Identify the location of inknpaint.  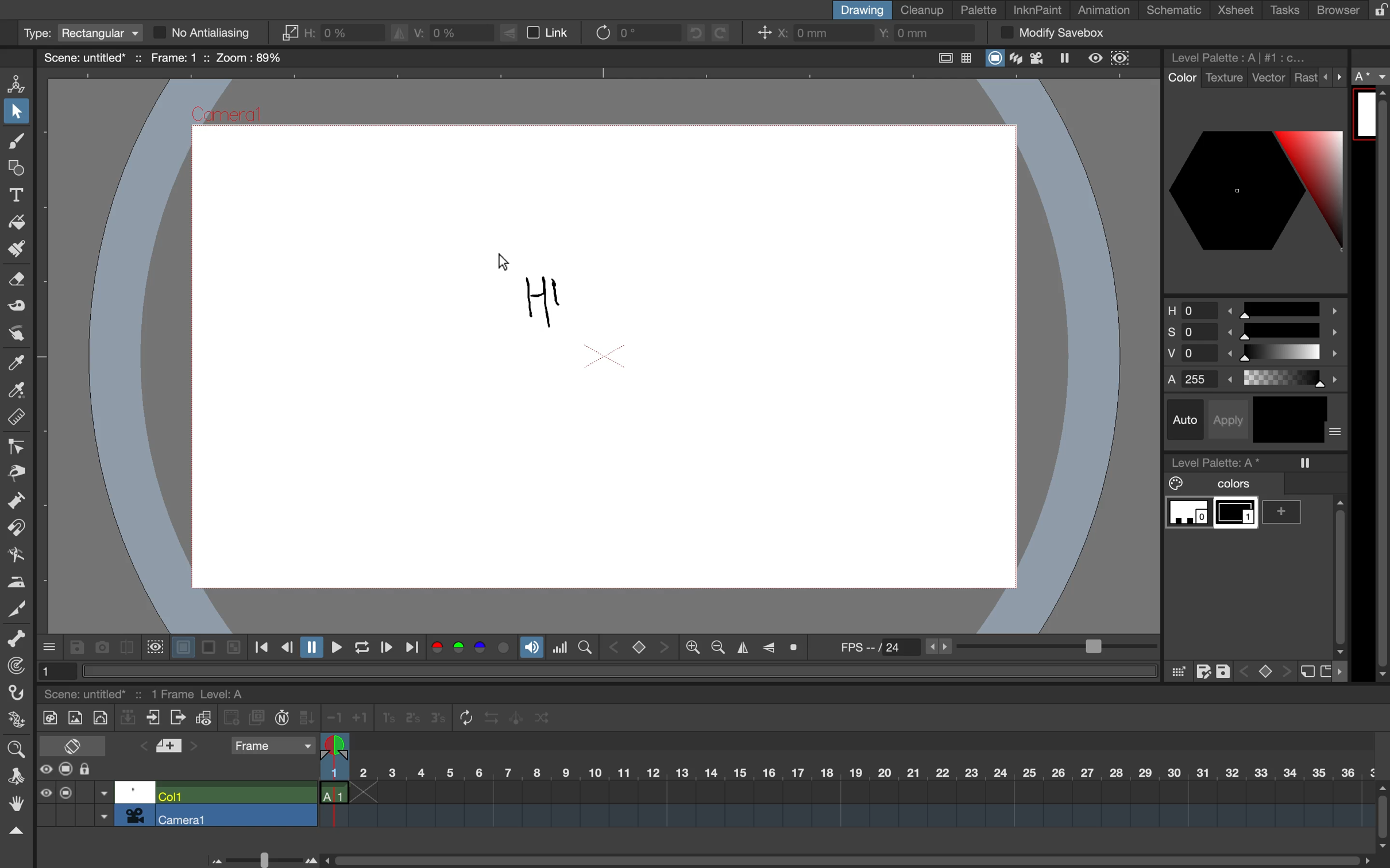
(1037, 9).